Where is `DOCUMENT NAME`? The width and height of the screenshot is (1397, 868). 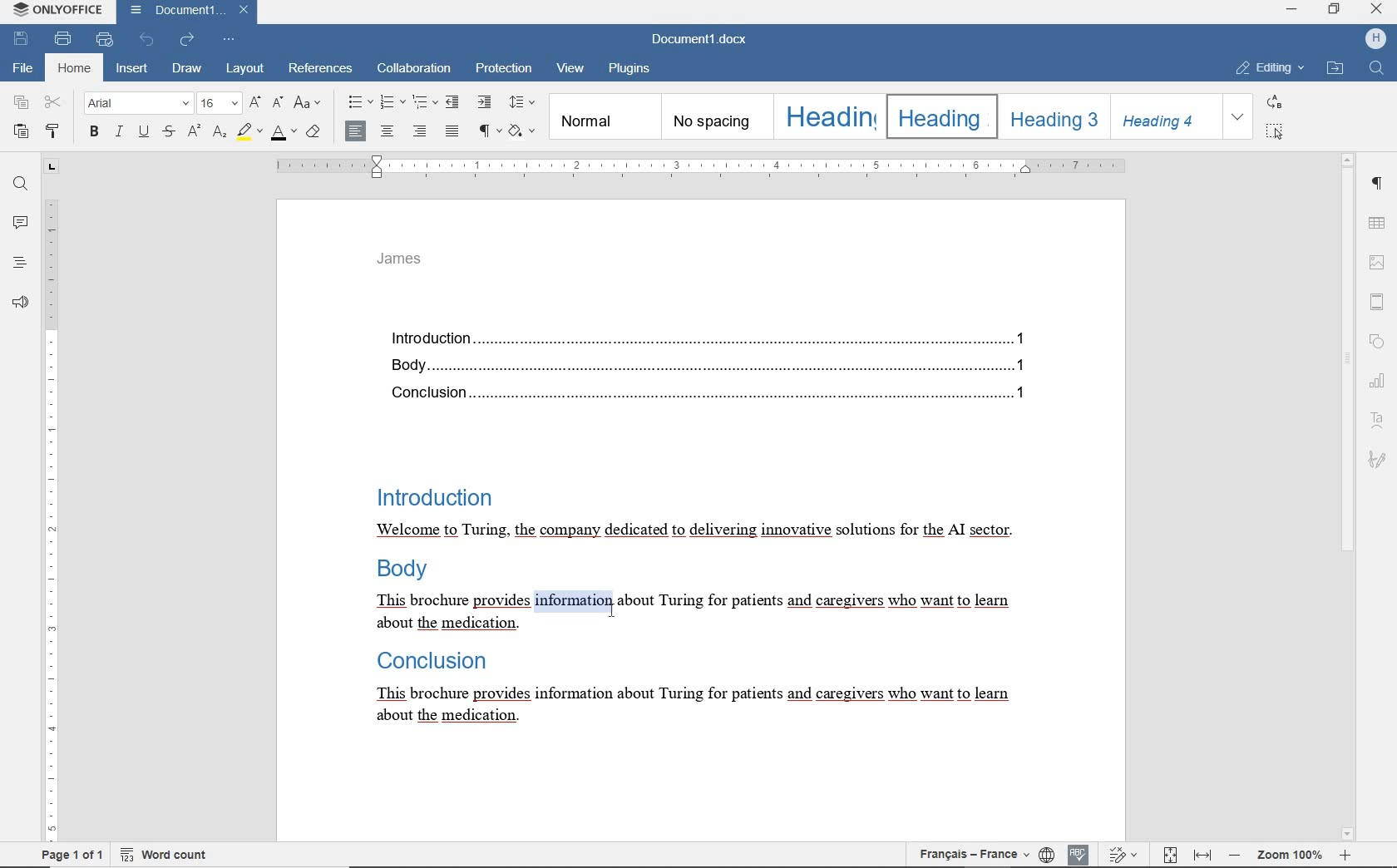
DOCUMENT NAME is located at coordinates (187, 12).